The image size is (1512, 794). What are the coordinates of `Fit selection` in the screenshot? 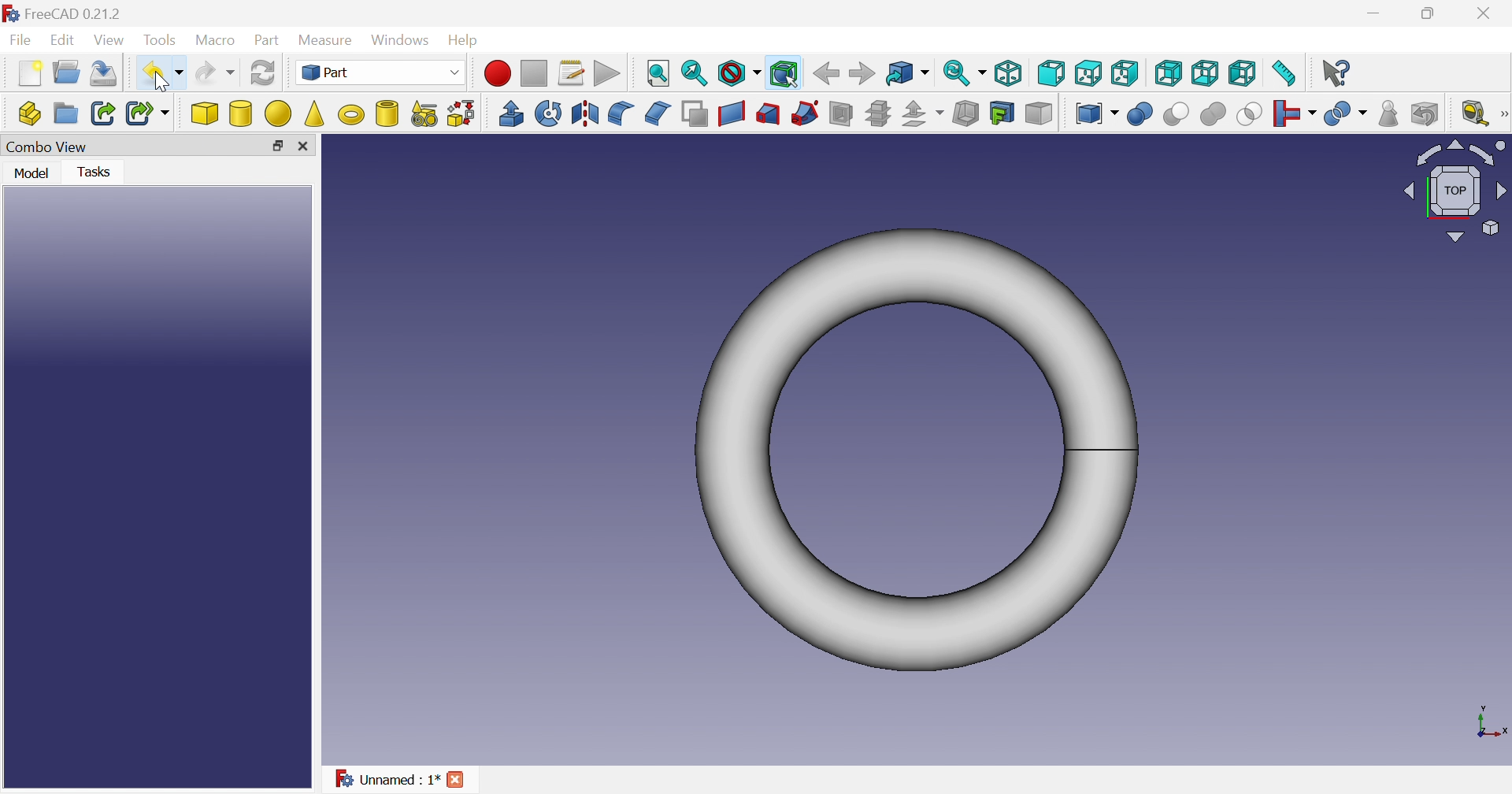 It's located at (695, 73).